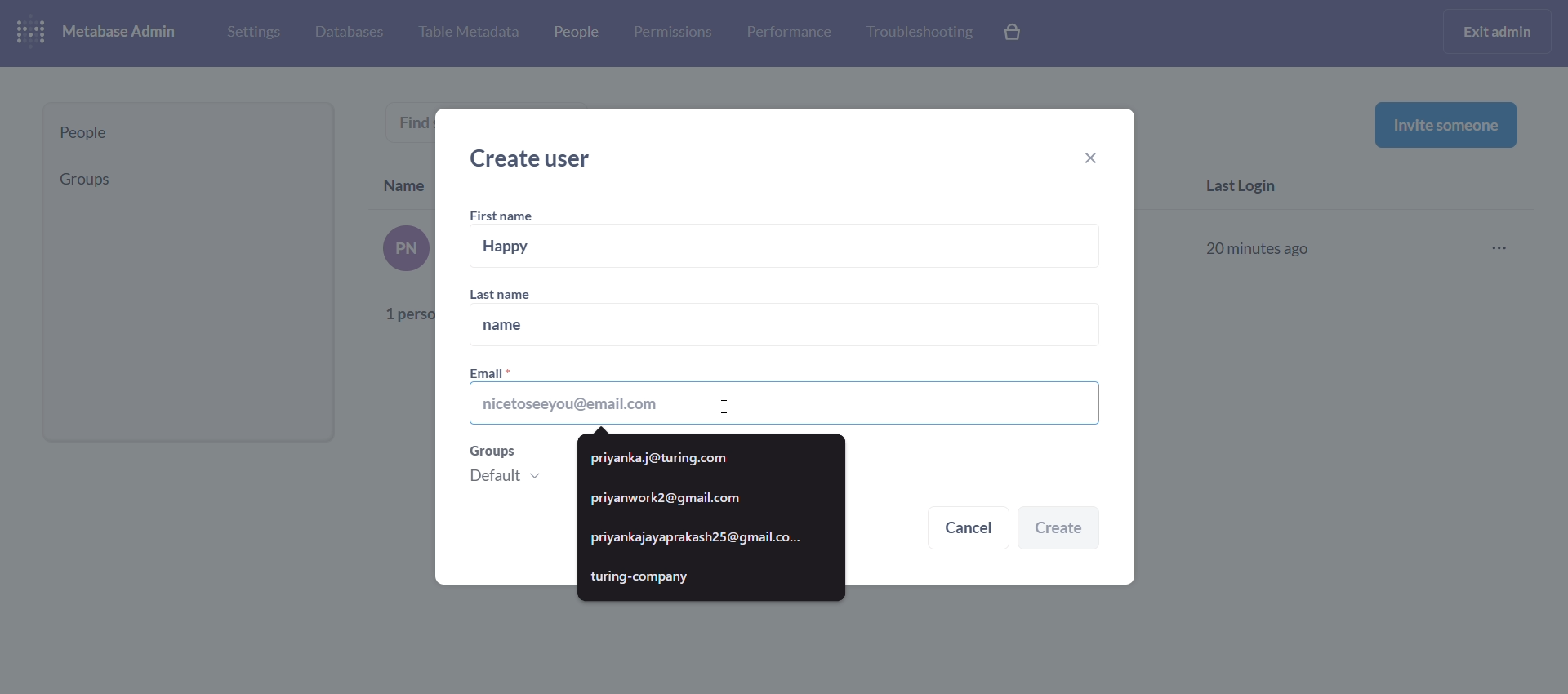  I want to click on troubleshooting, so click(918, 33).